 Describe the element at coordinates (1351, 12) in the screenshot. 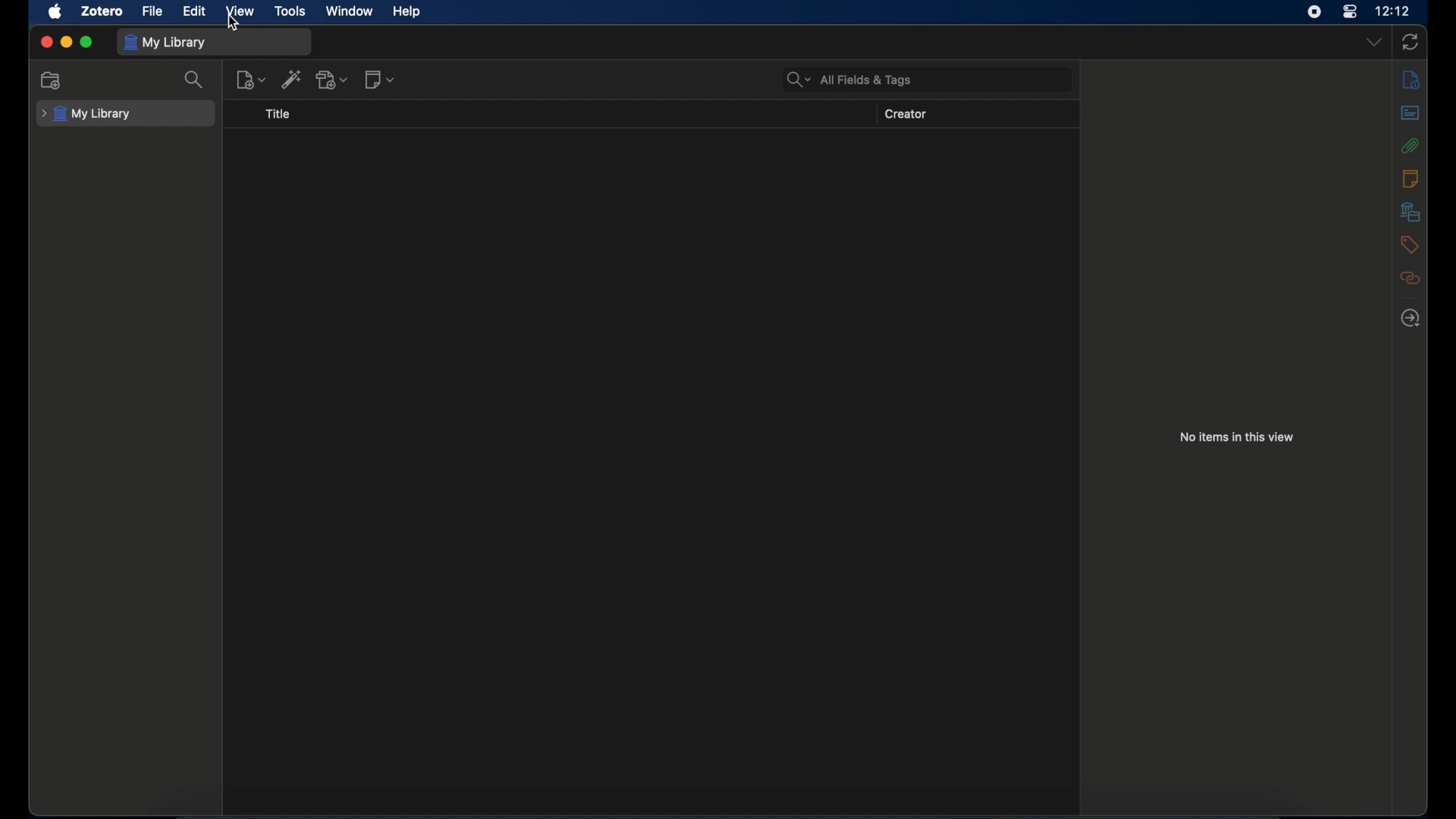

I see `control center` at that location.